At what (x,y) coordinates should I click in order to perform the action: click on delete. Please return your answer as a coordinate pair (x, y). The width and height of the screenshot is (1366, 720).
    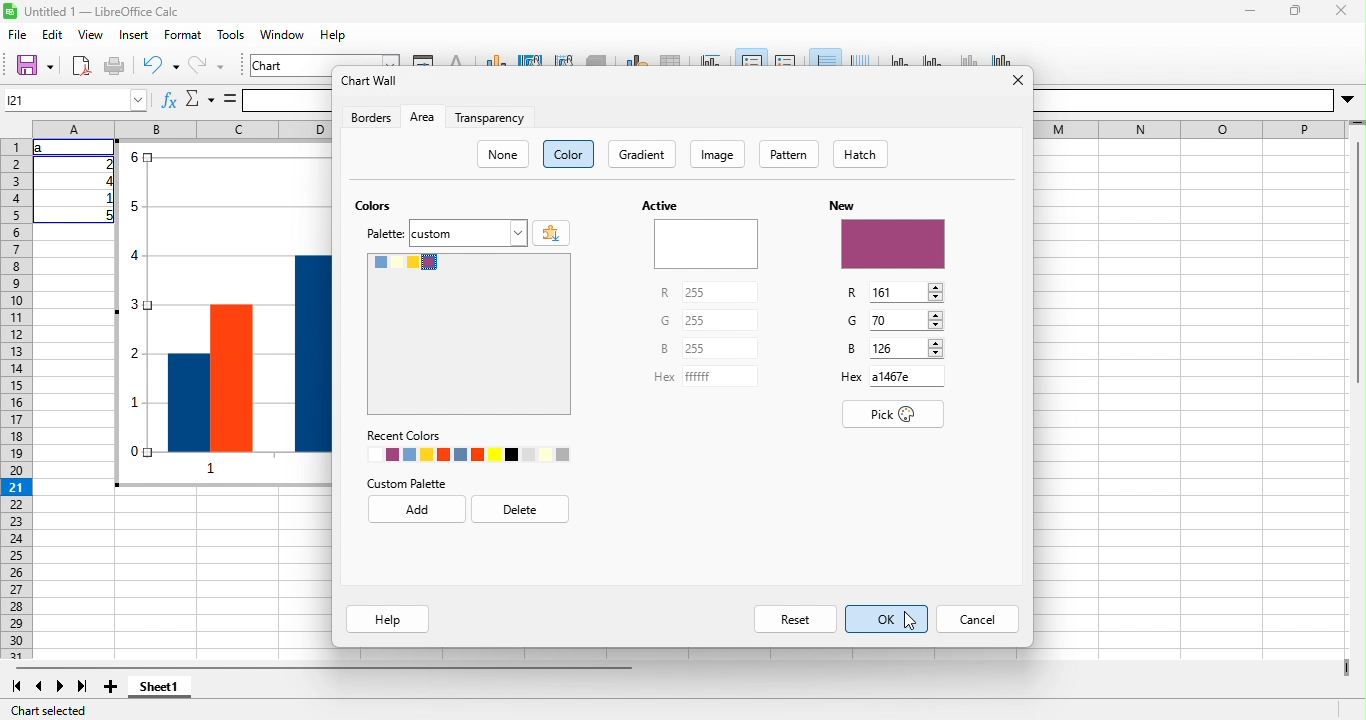
    Looking at the image, I should click on (520, 509).